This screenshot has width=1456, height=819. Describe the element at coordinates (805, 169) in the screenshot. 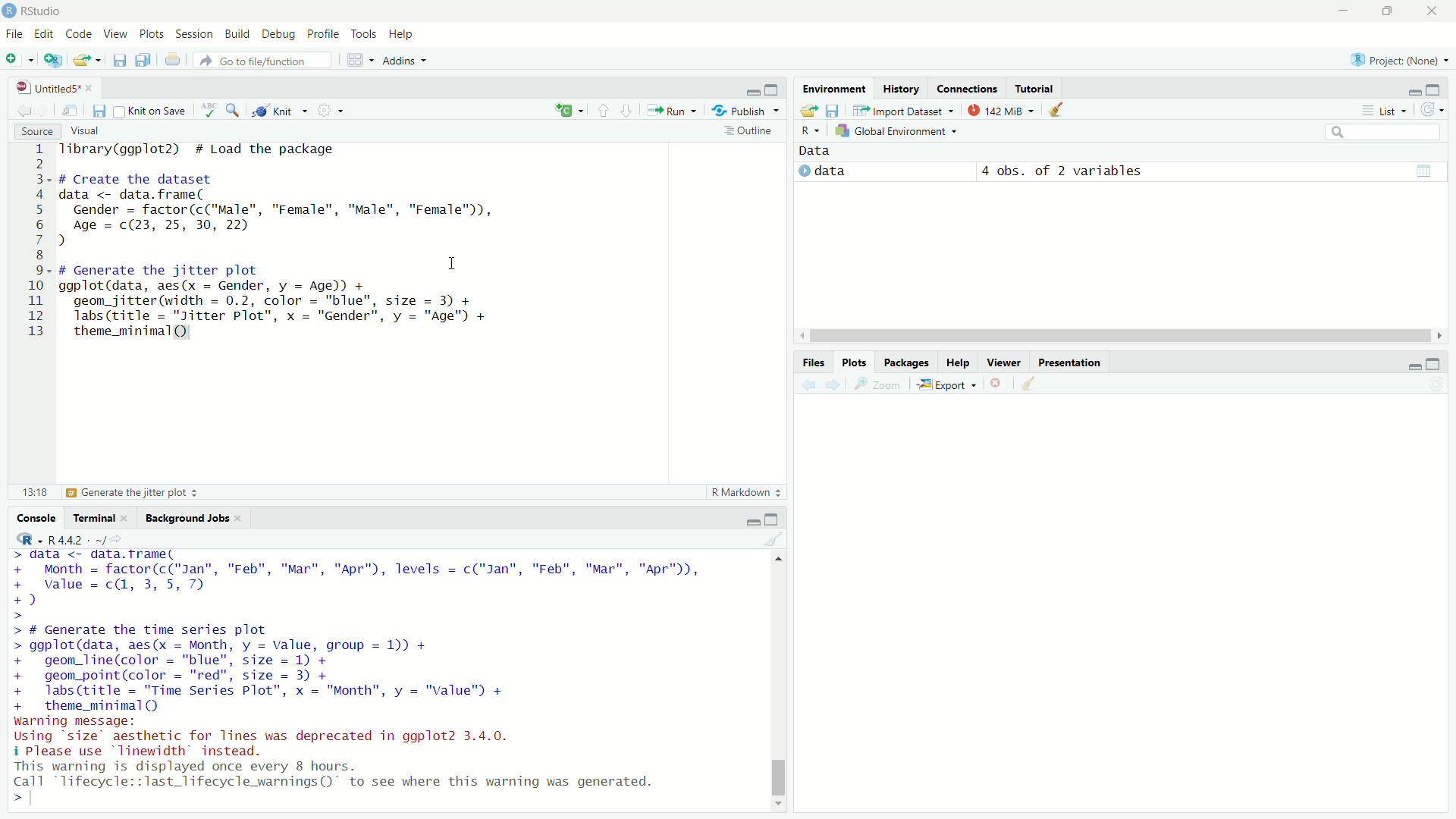

I see `play` at that location.